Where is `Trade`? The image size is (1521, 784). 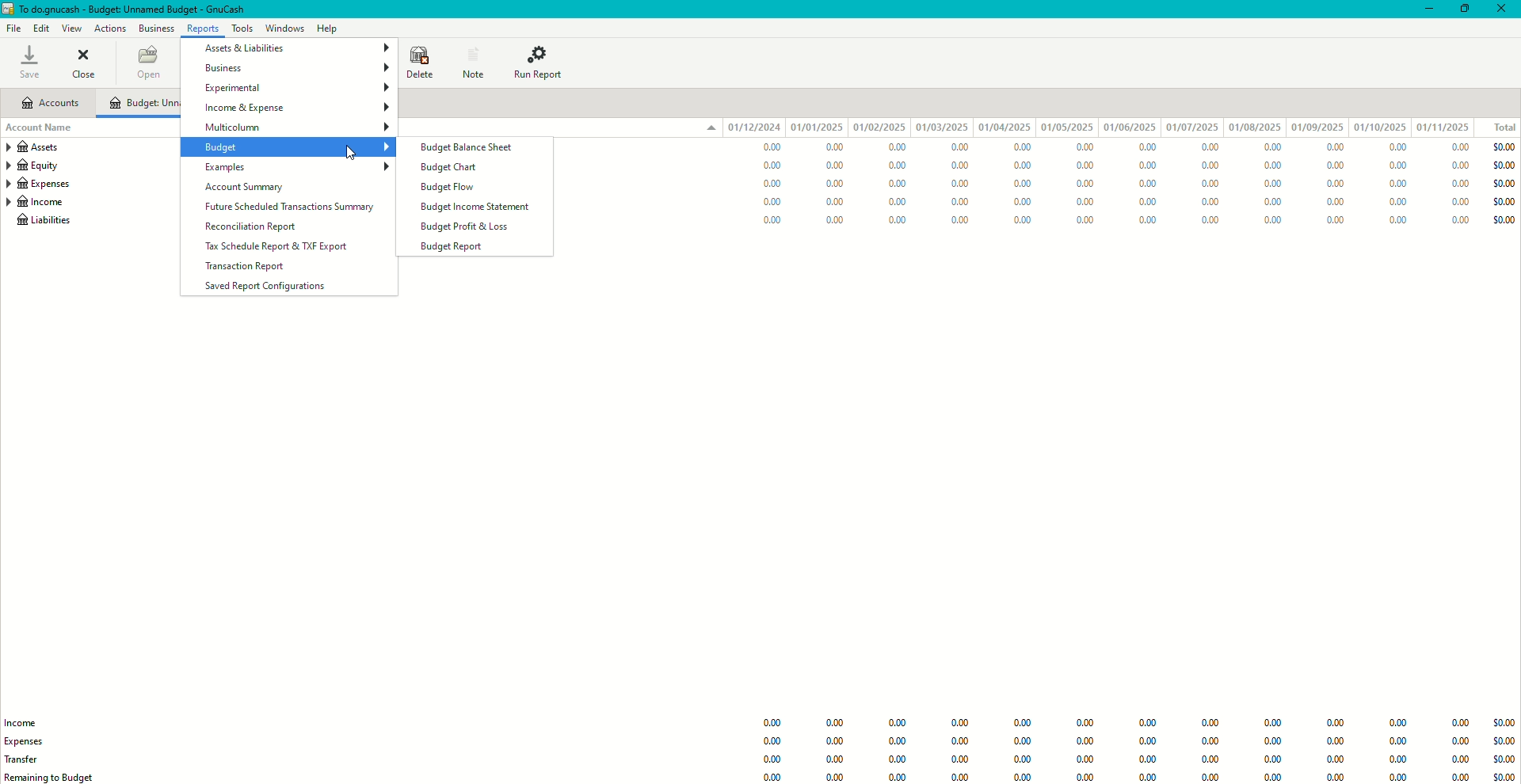 Trade is located at coordinates (29, 758).